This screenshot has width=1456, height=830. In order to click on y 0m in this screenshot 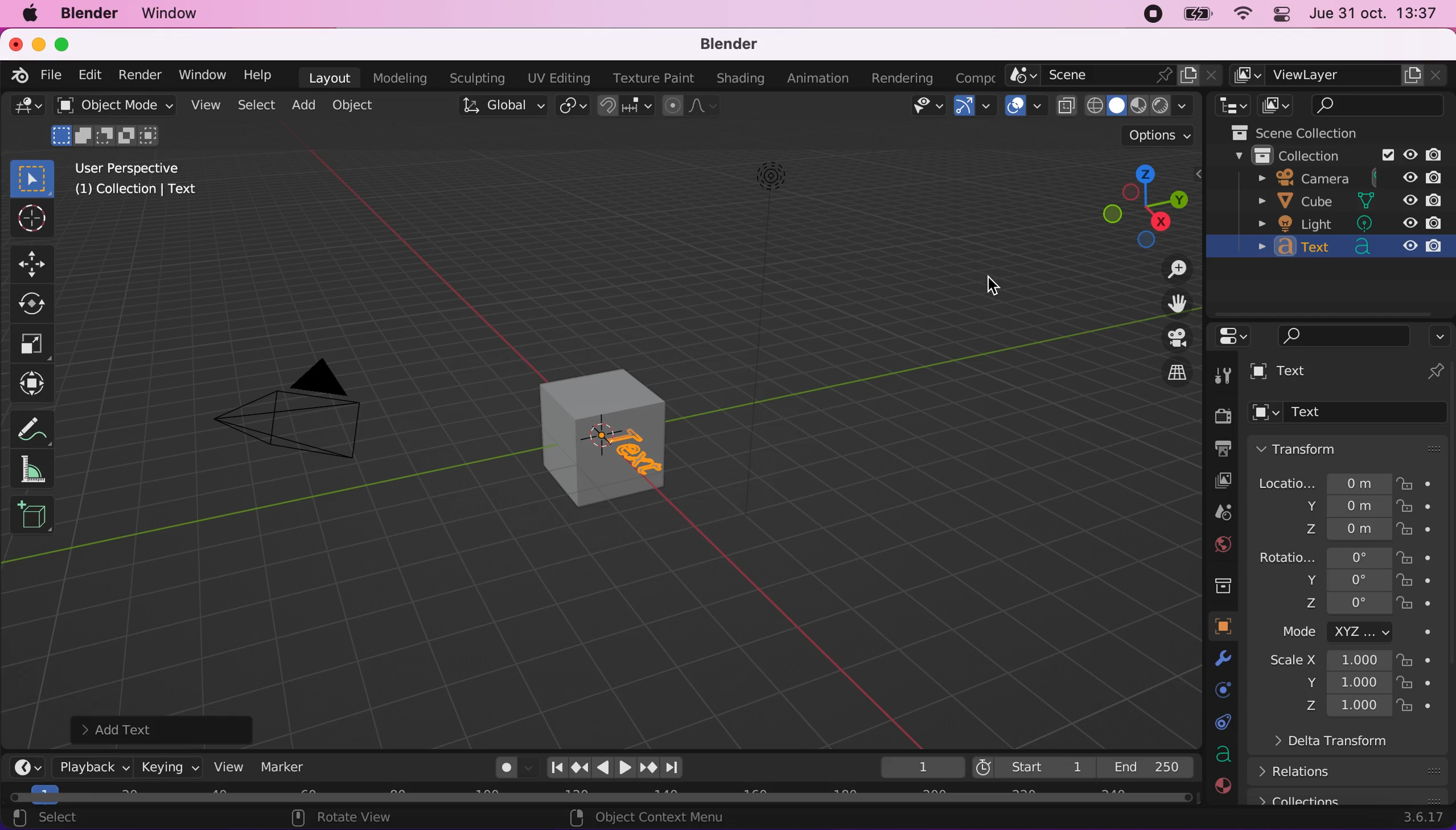, I will do `click(1331, 507)`.